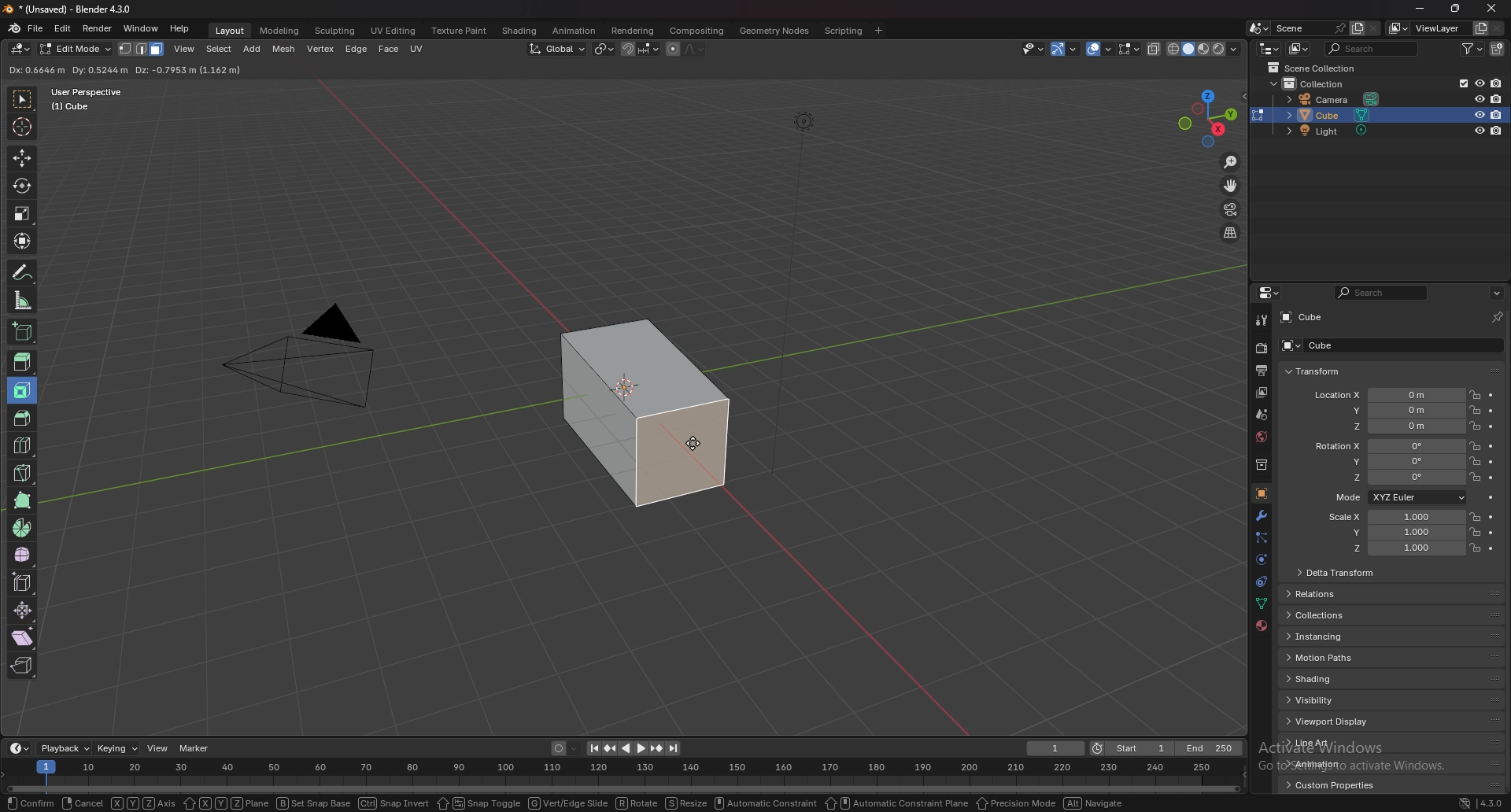 This screenshot has width=1511, height=812. I want to click on new collection, so click(1498, 50).